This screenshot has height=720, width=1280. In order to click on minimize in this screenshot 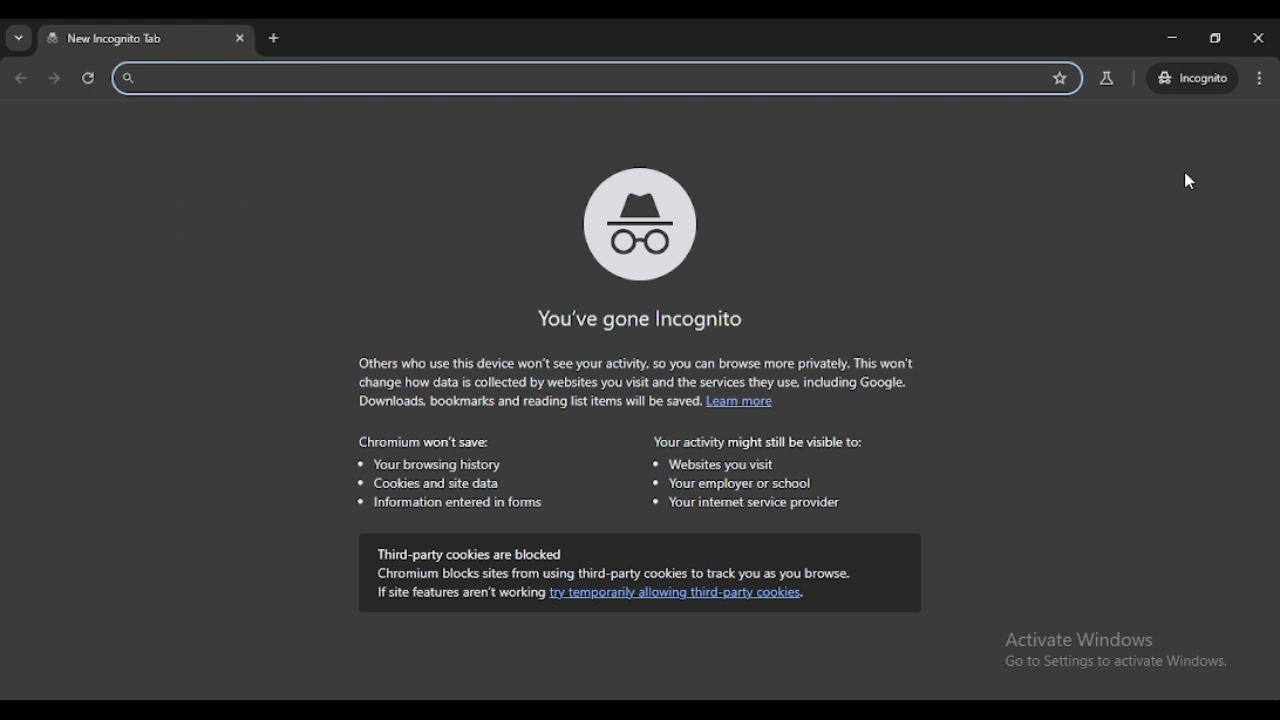, I will do `click(1170, 38)`.